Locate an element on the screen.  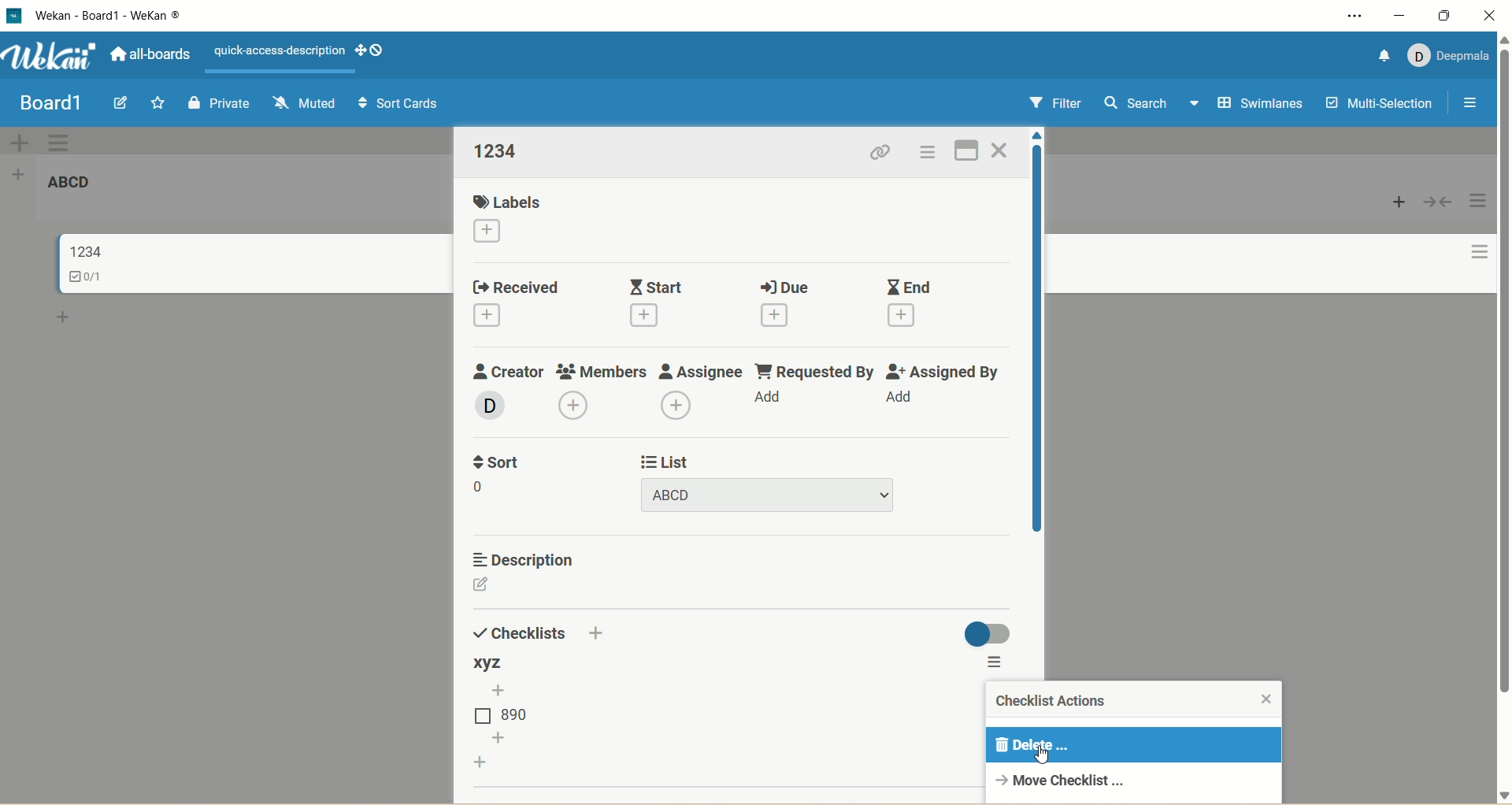
close is located at coordinates (1009, 148).